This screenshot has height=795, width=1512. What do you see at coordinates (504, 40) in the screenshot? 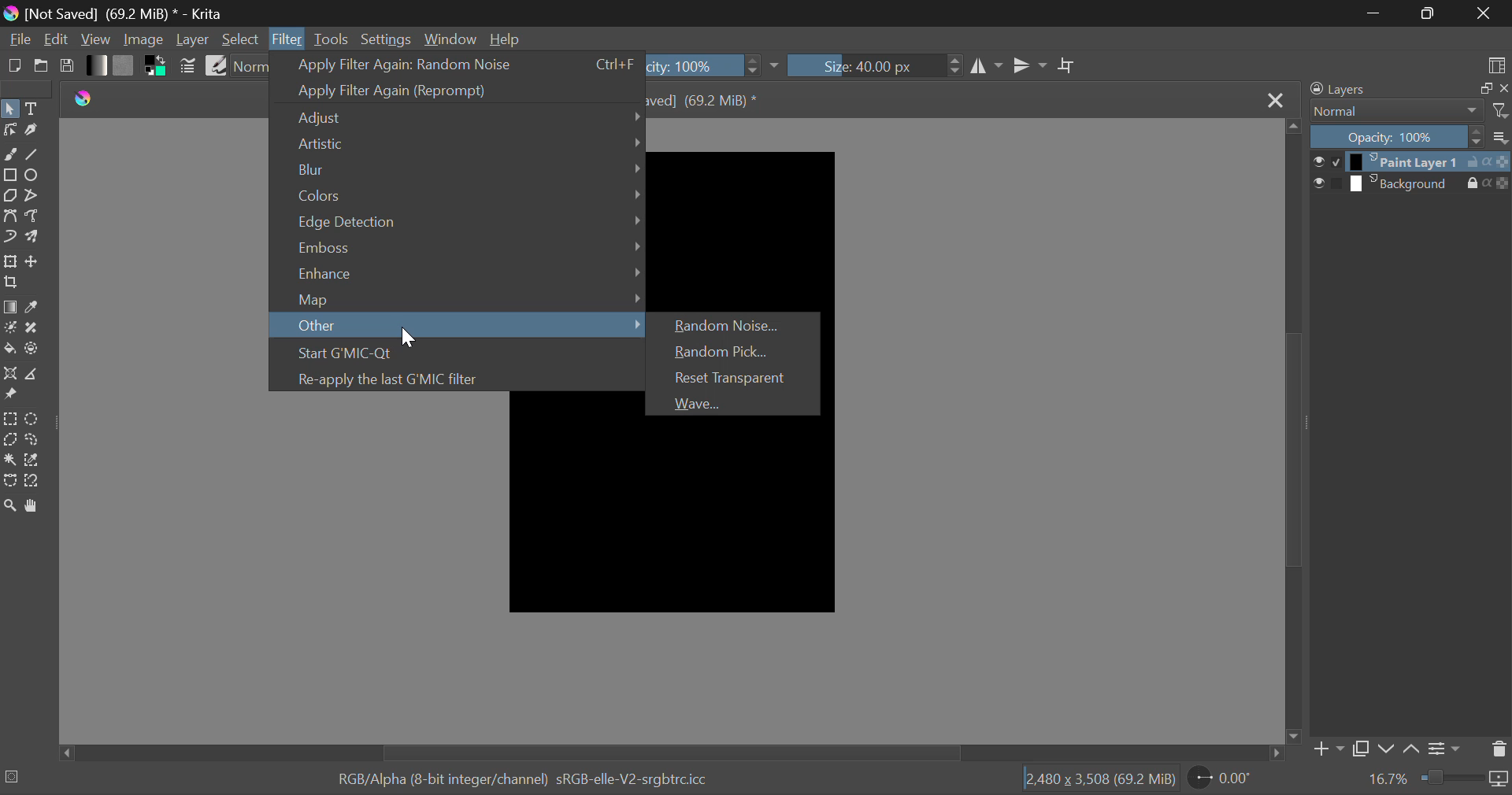
I see `Help` at bounding box center [504, 40].